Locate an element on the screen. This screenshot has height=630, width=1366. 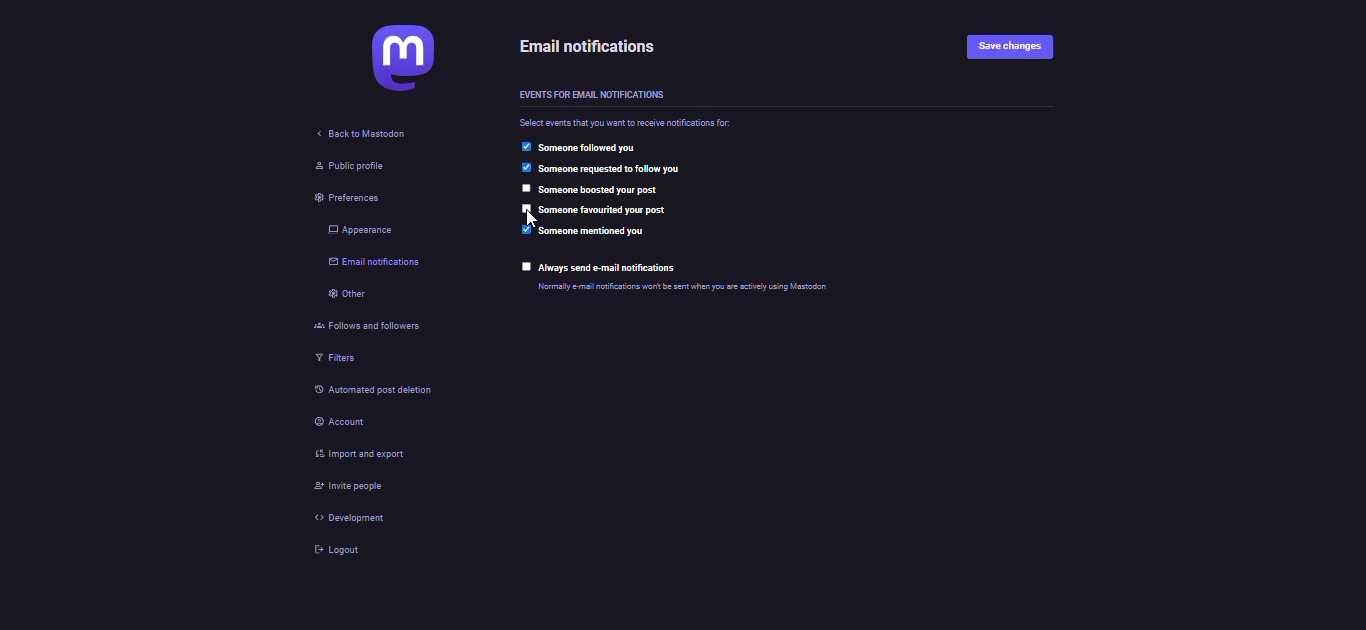
click to enable is located at coordinates (527, 267).